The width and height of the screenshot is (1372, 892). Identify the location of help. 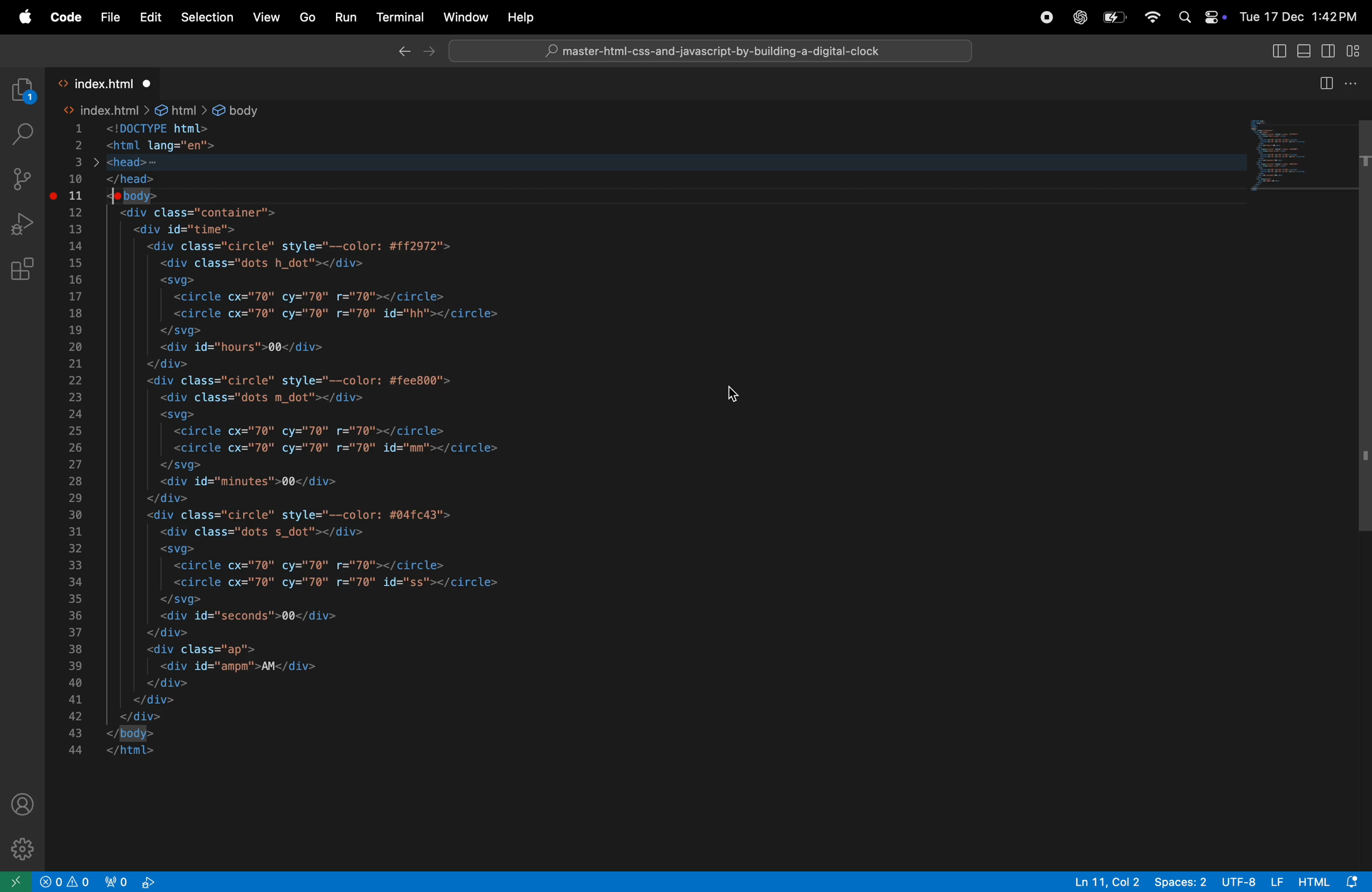
(519, 17).